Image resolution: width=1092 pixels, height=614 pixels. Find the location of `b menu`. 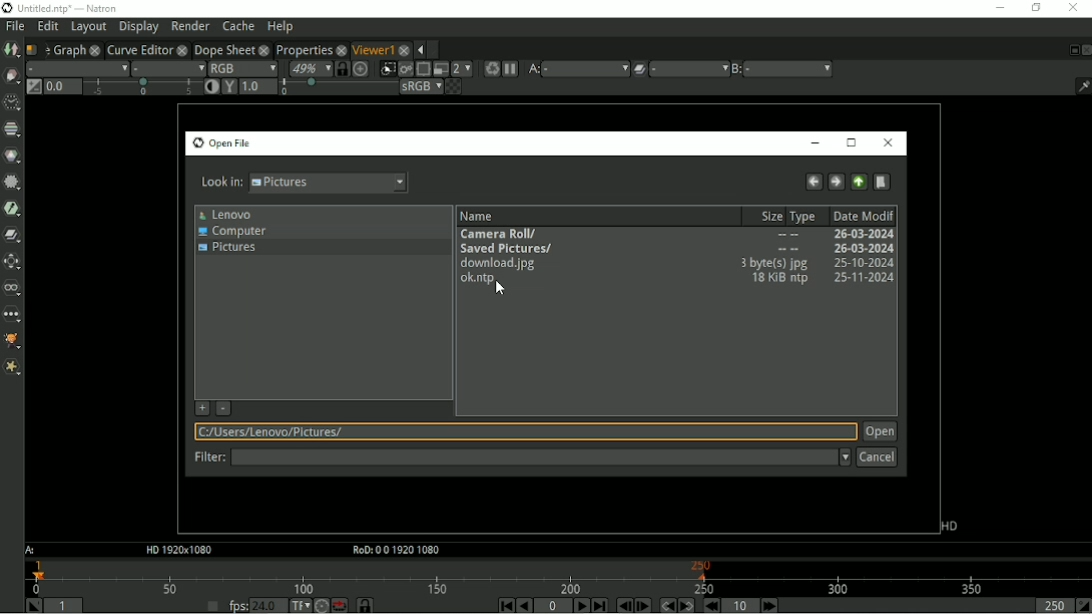

b menu is located at coordinates (789, 69).